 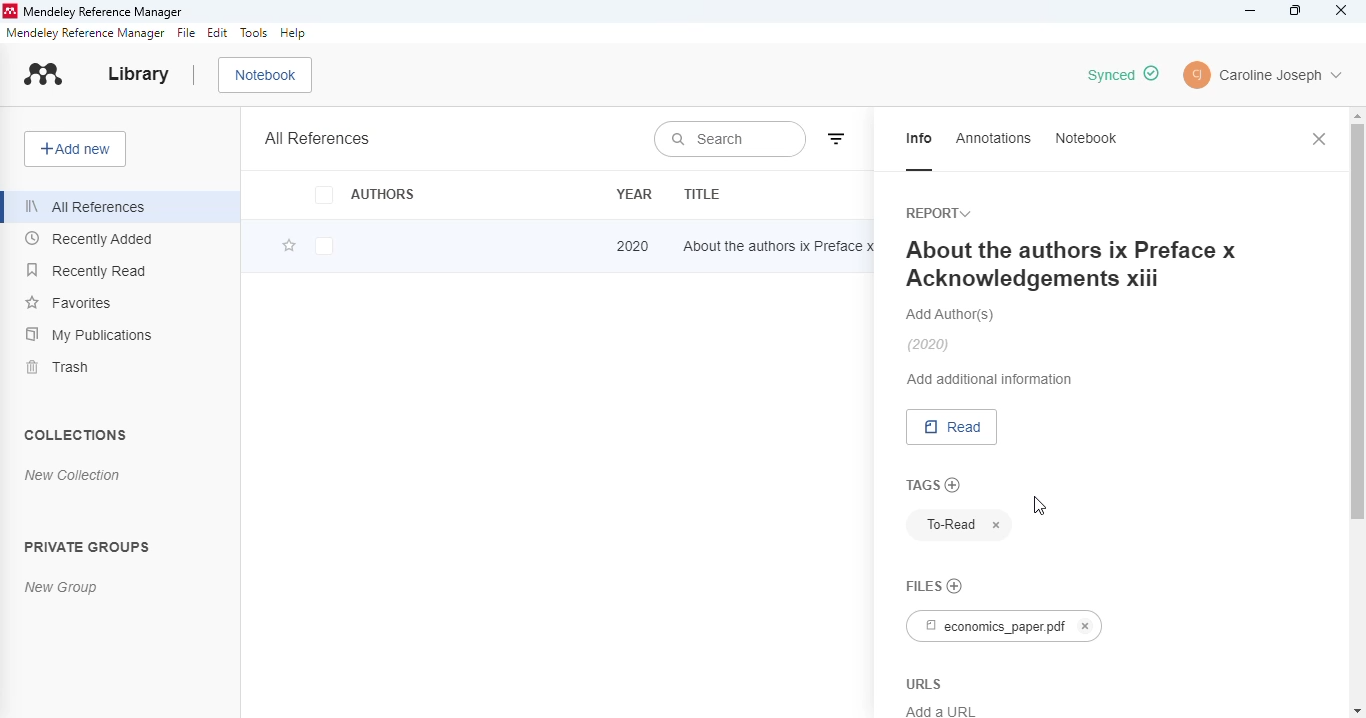 What do you see at coordinates (731, 141) in the screenshot?
I see `search` at bounding box center [731, 141].